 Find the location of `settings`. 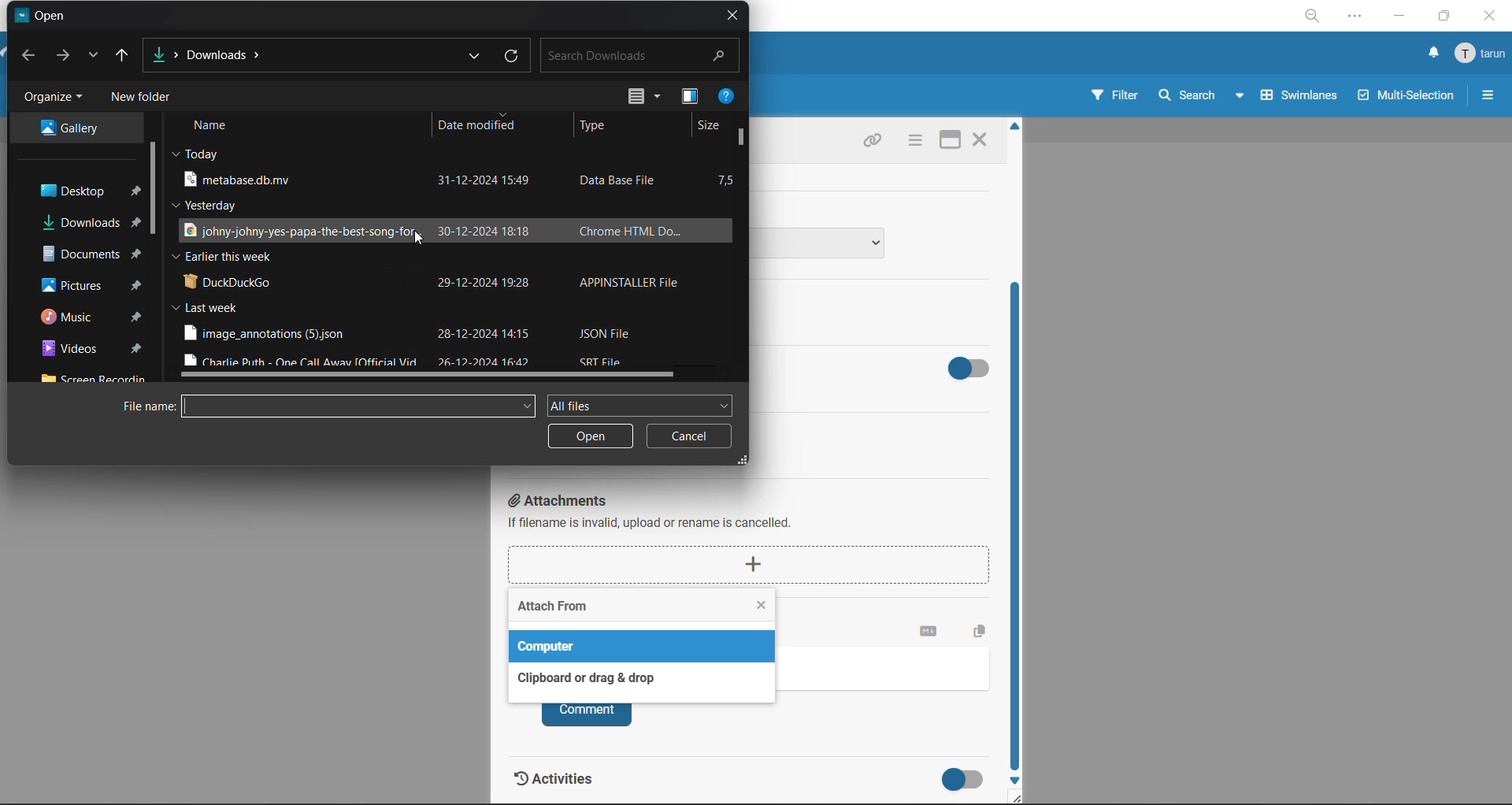

settings is located at coordinates (1357, 19).